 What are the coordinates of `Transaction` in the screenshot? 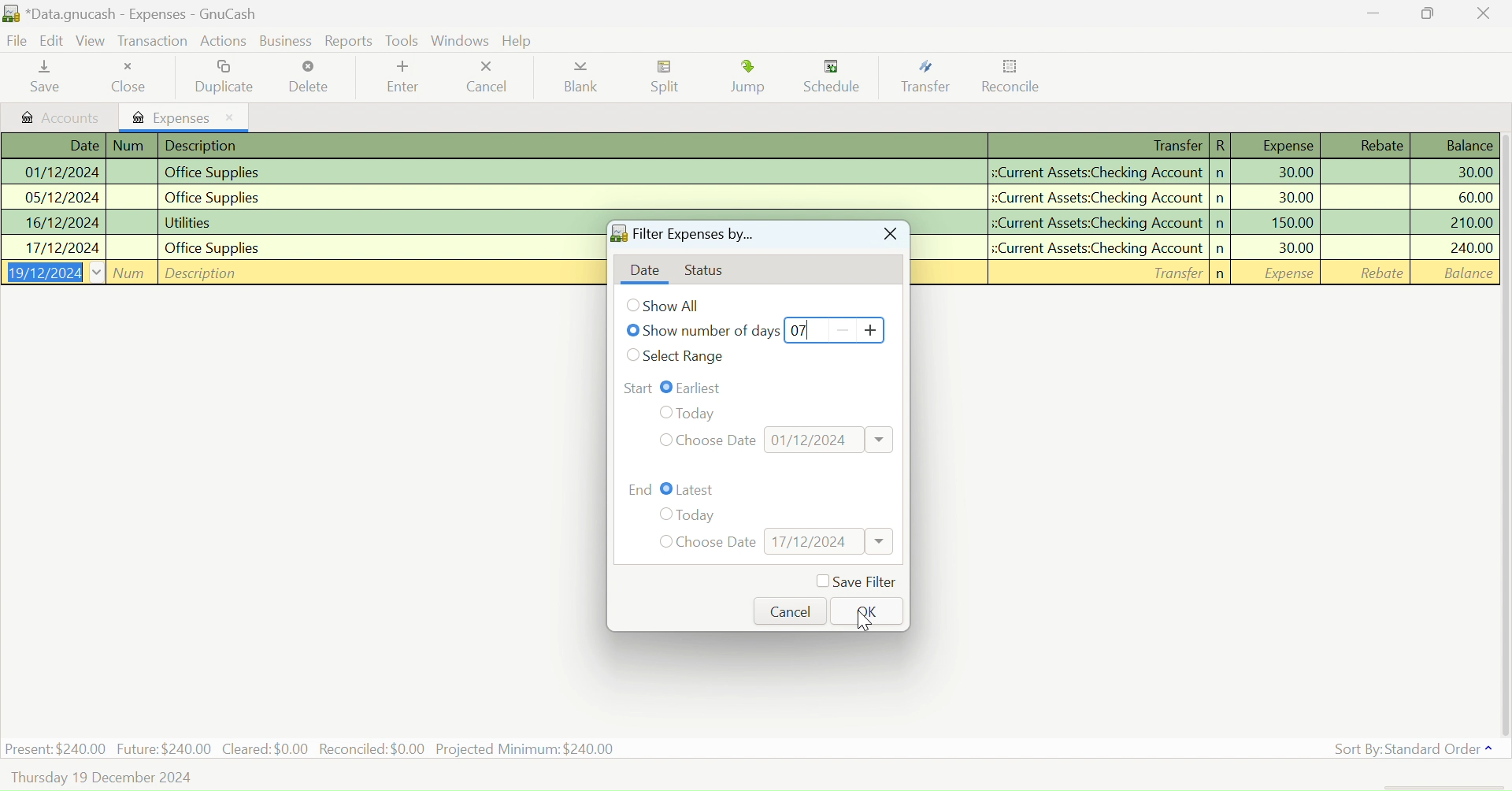 It's located at (152, 42).